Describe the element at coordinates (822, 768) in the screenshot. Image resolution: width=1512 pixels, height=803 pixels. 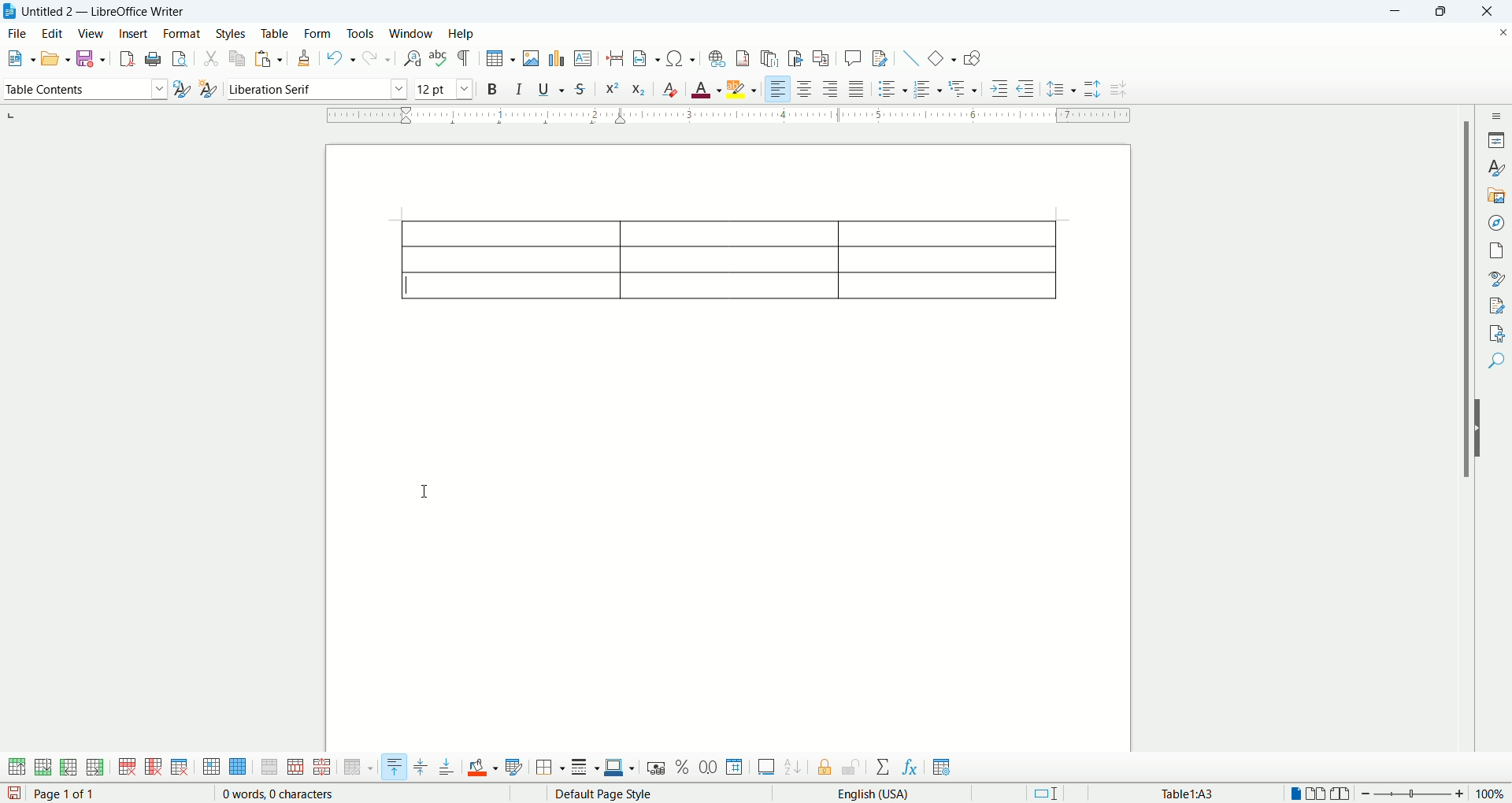
I see `protect cells` at that location.